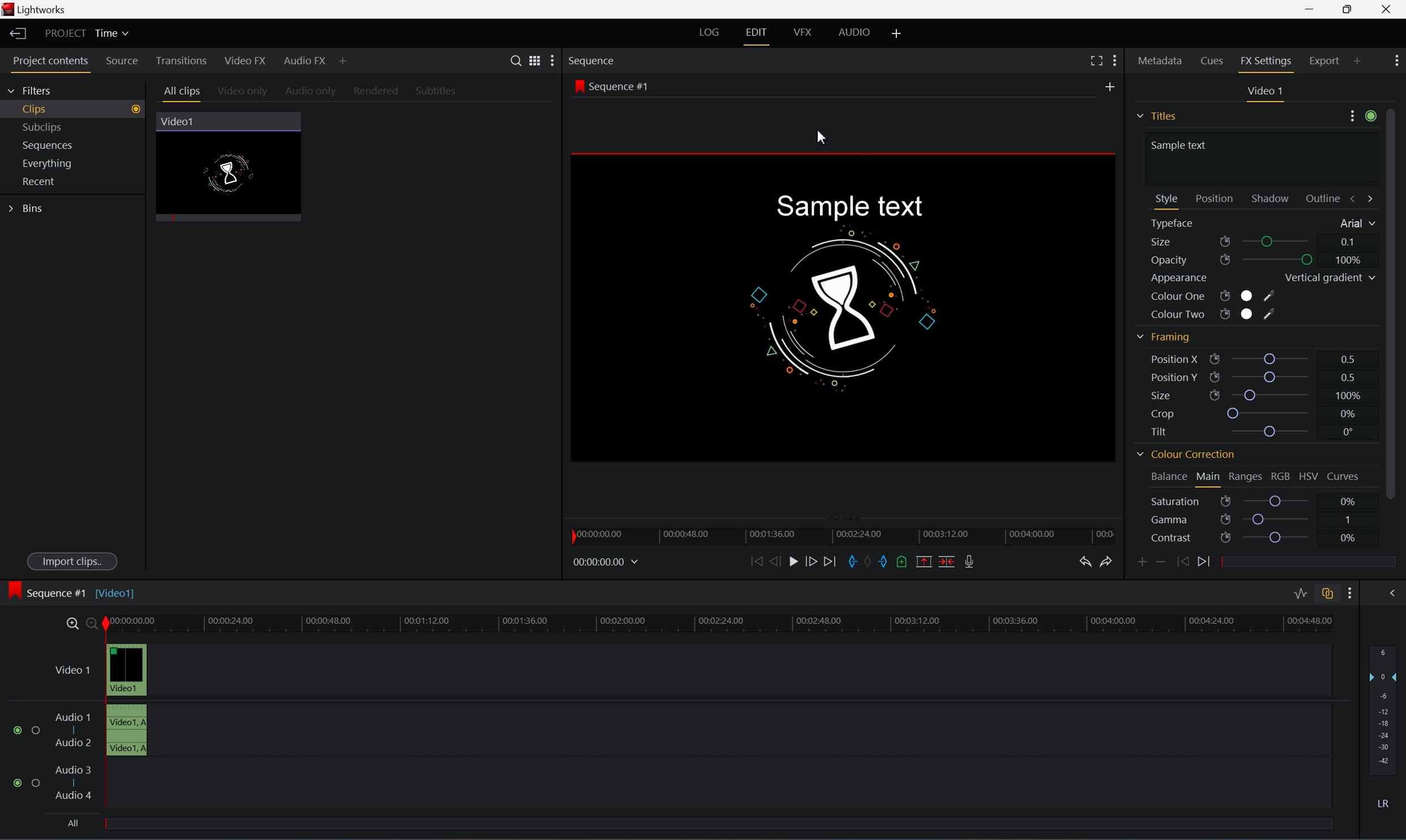 The height and width of the screenshot is (840, 1406). Describe the element at coordinates (127, 698) in the screenshot. I see `video tracks` at that location.